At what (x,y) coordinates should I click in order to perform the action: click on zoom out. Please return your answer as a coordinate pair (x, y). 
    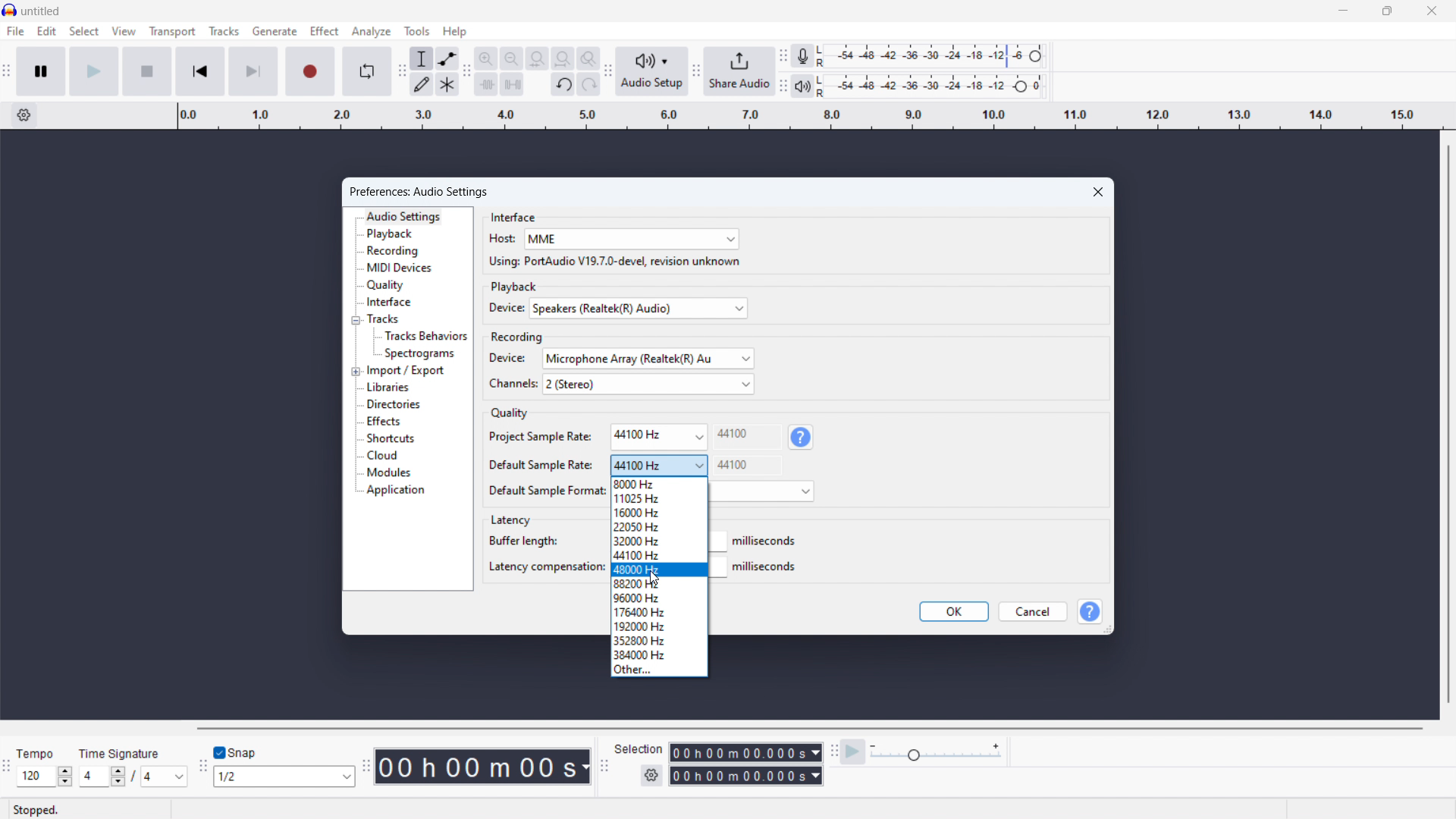
    Looking at the image, I should click on (512, 59).